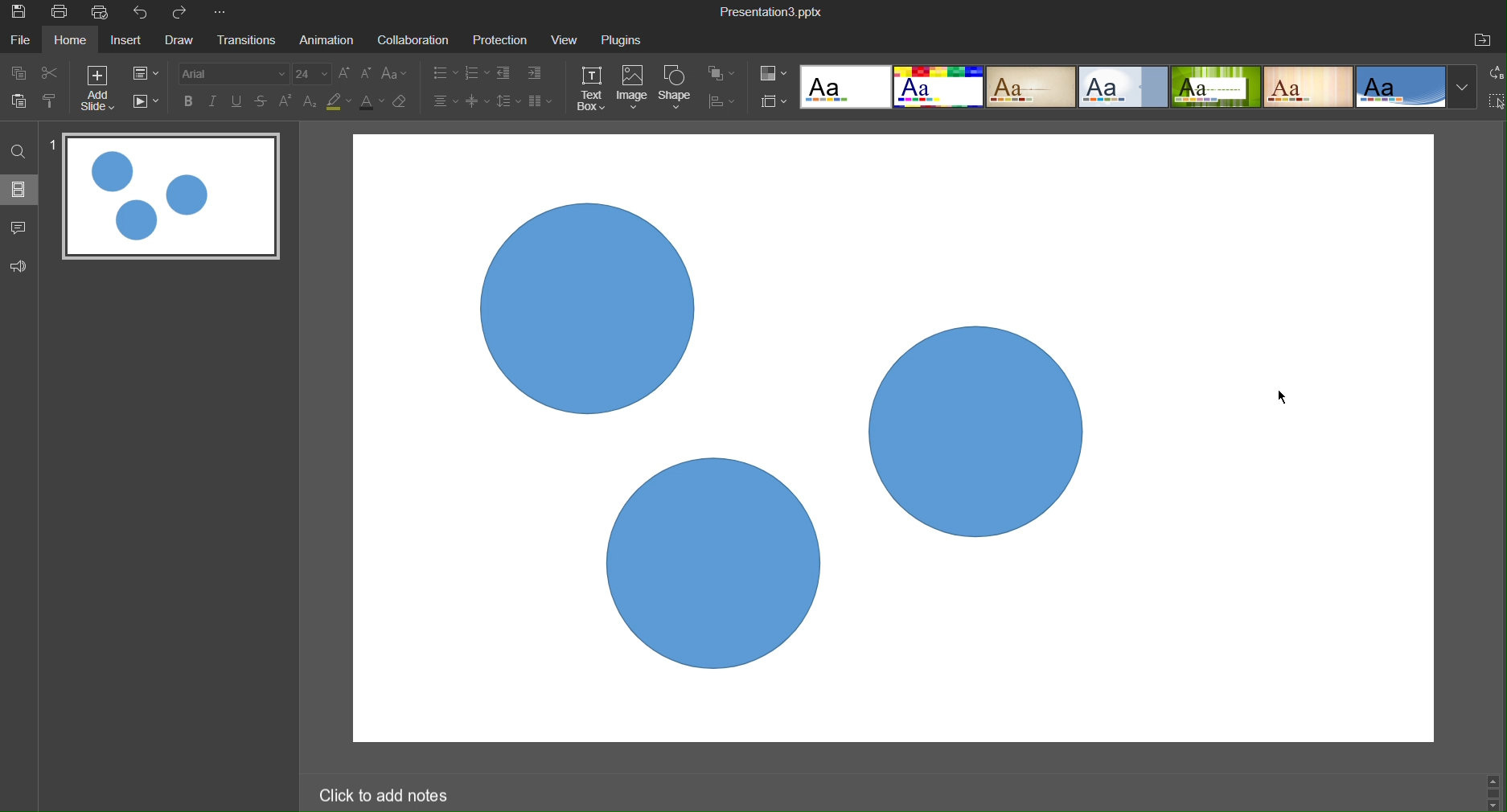 Image resolution: width=1507 pixels, height=812 pixels. I want to click on Decrease size, so click(367, 72).